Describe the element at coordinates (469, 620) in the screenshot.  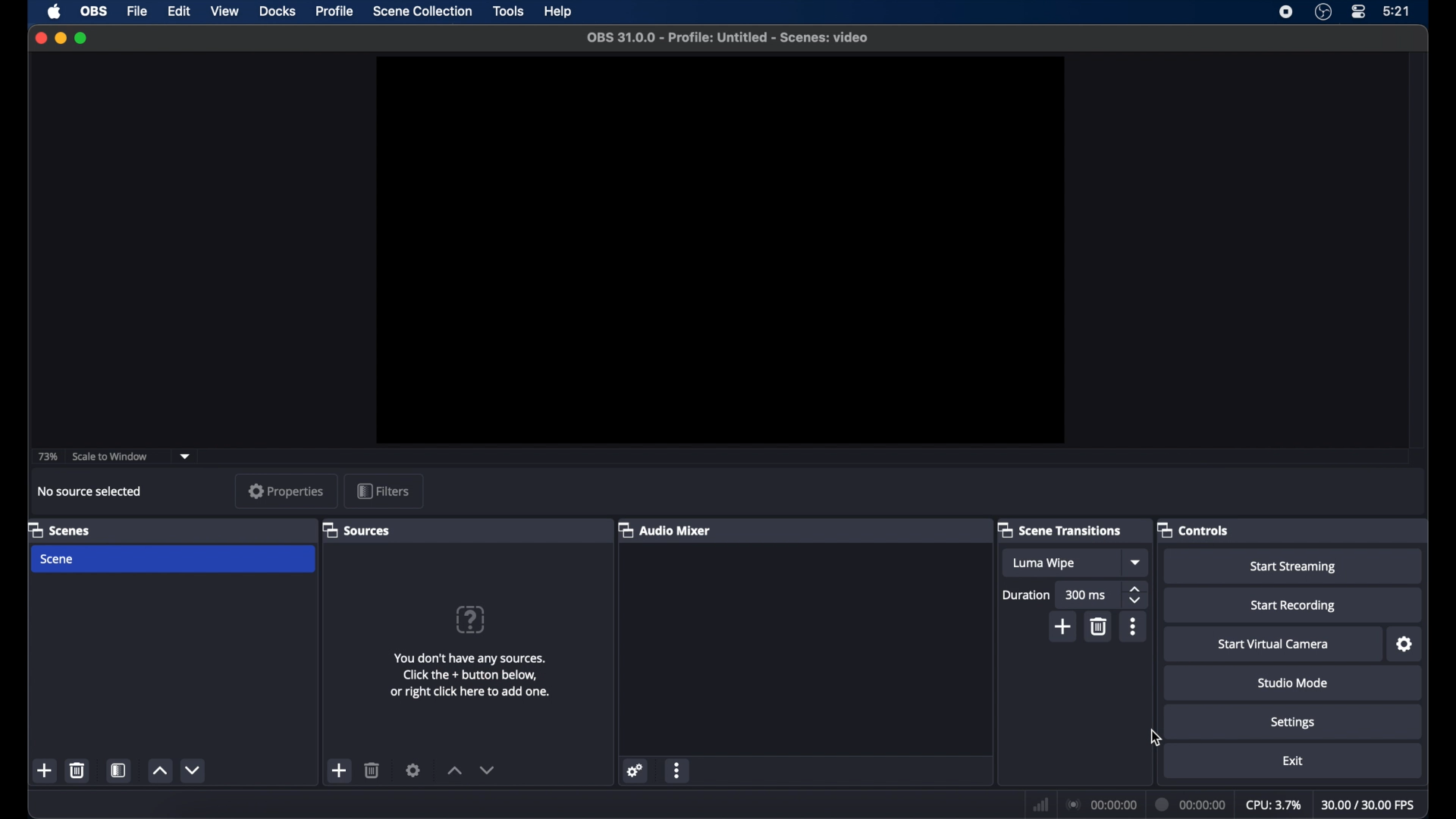
I see `question mark icon` at that location.